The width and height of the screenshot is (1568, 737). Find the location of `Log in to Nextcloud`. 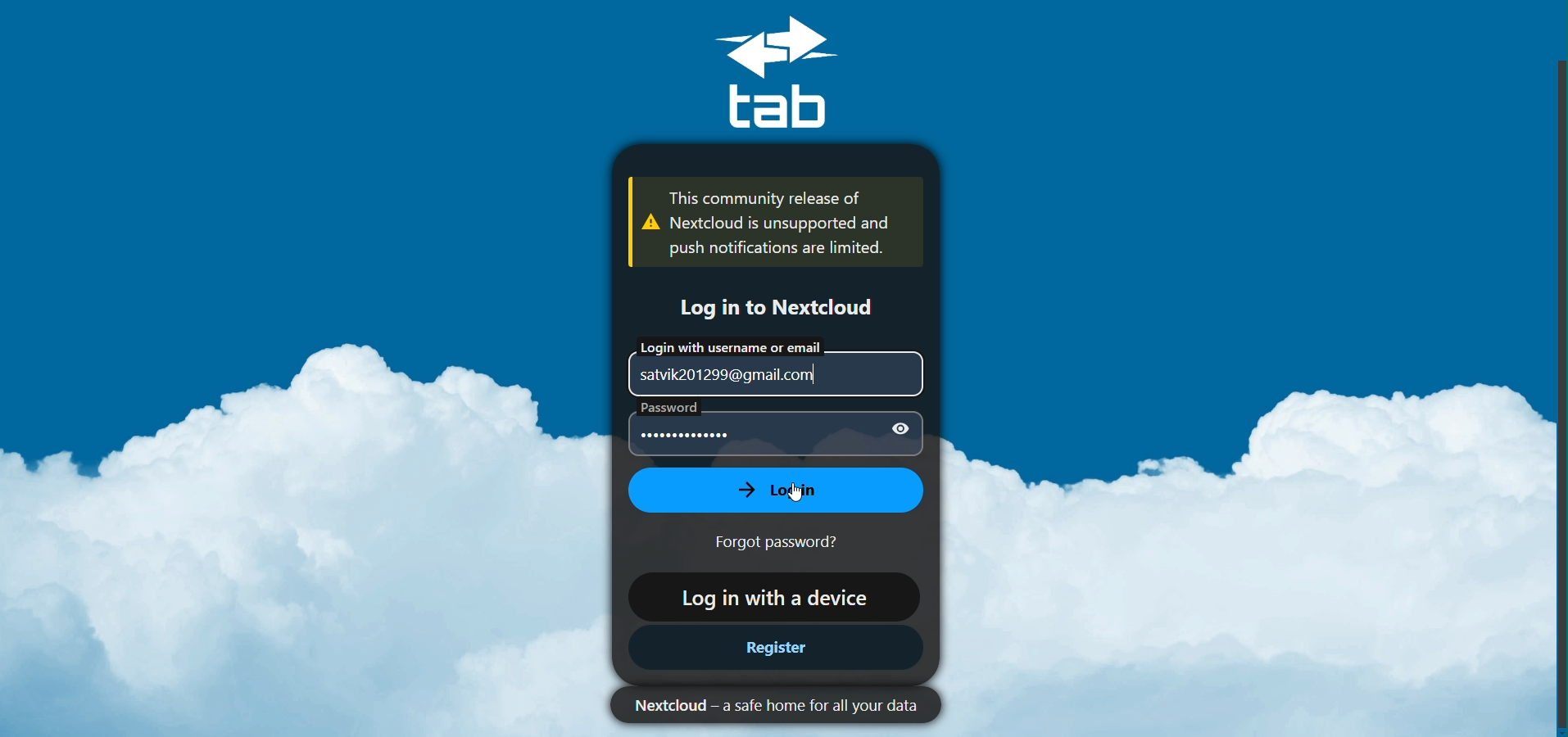

Log in to Nextcloud is located at coordinates (772, 306).